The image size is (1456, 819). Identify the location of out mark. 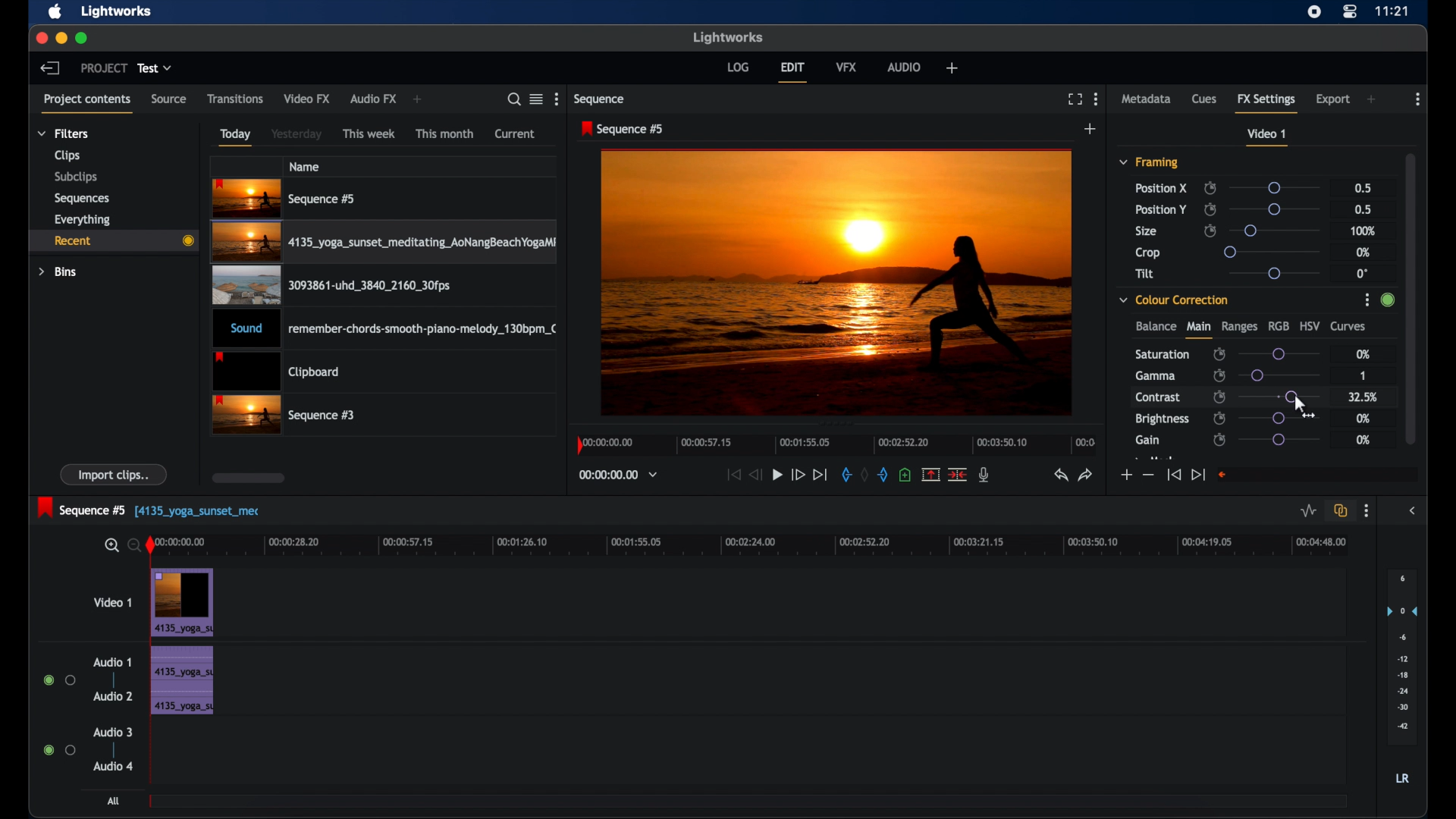
(884, 475).